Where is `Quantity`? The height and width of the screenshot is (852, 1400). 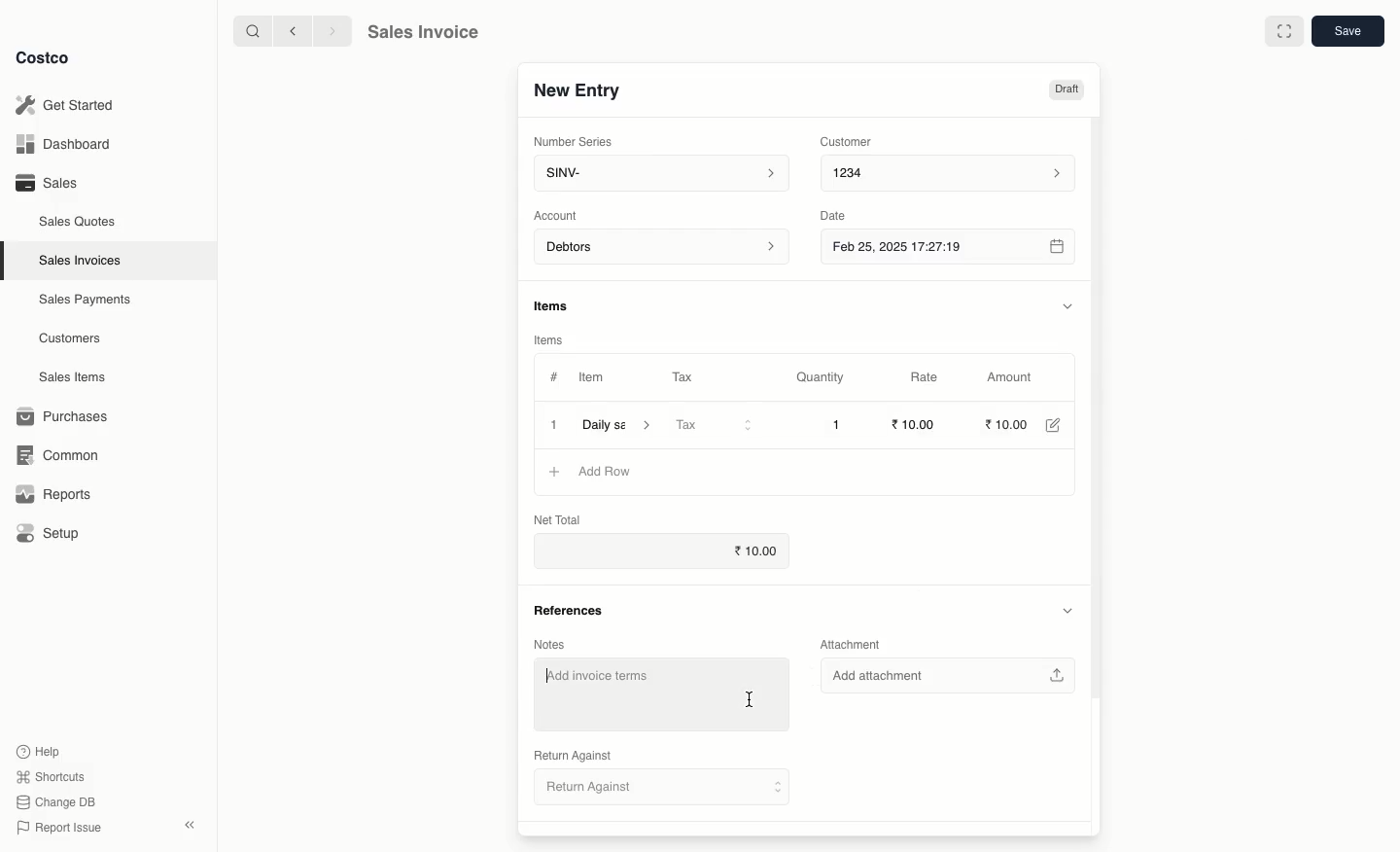 Quantity is located at coordinates (825, 378).